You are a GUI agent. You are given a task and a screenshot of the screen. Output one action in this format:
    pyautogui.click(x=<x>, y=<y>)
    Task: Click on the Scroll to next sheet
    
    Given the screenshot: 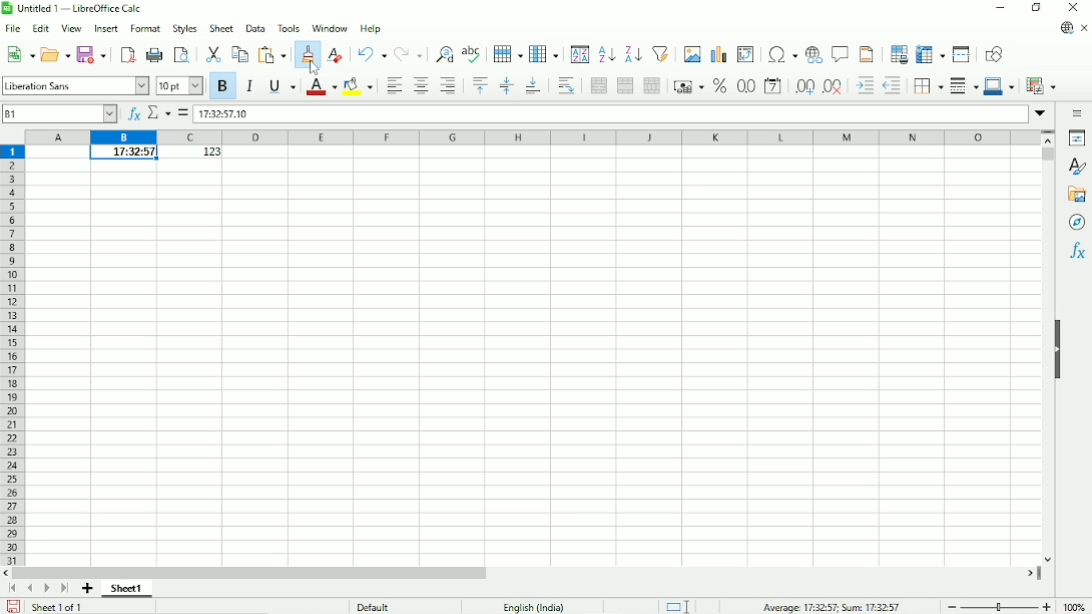 What is the action you would take?
    pyautogui.click(x=47, y=589)
    